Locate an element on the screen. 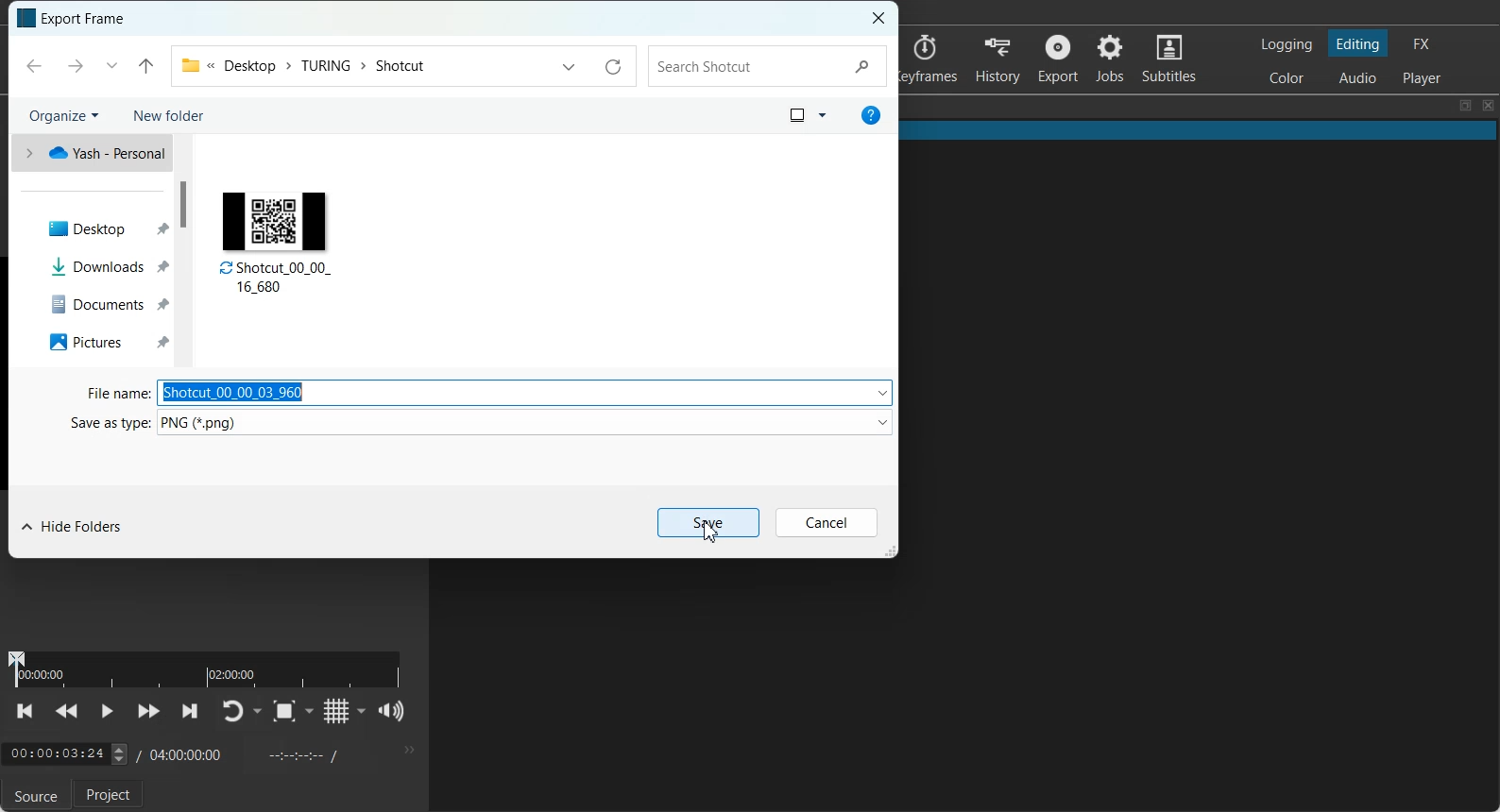 This screenshot has height=812, width=1500. Subtitles is located at coordinates (1169, 57).